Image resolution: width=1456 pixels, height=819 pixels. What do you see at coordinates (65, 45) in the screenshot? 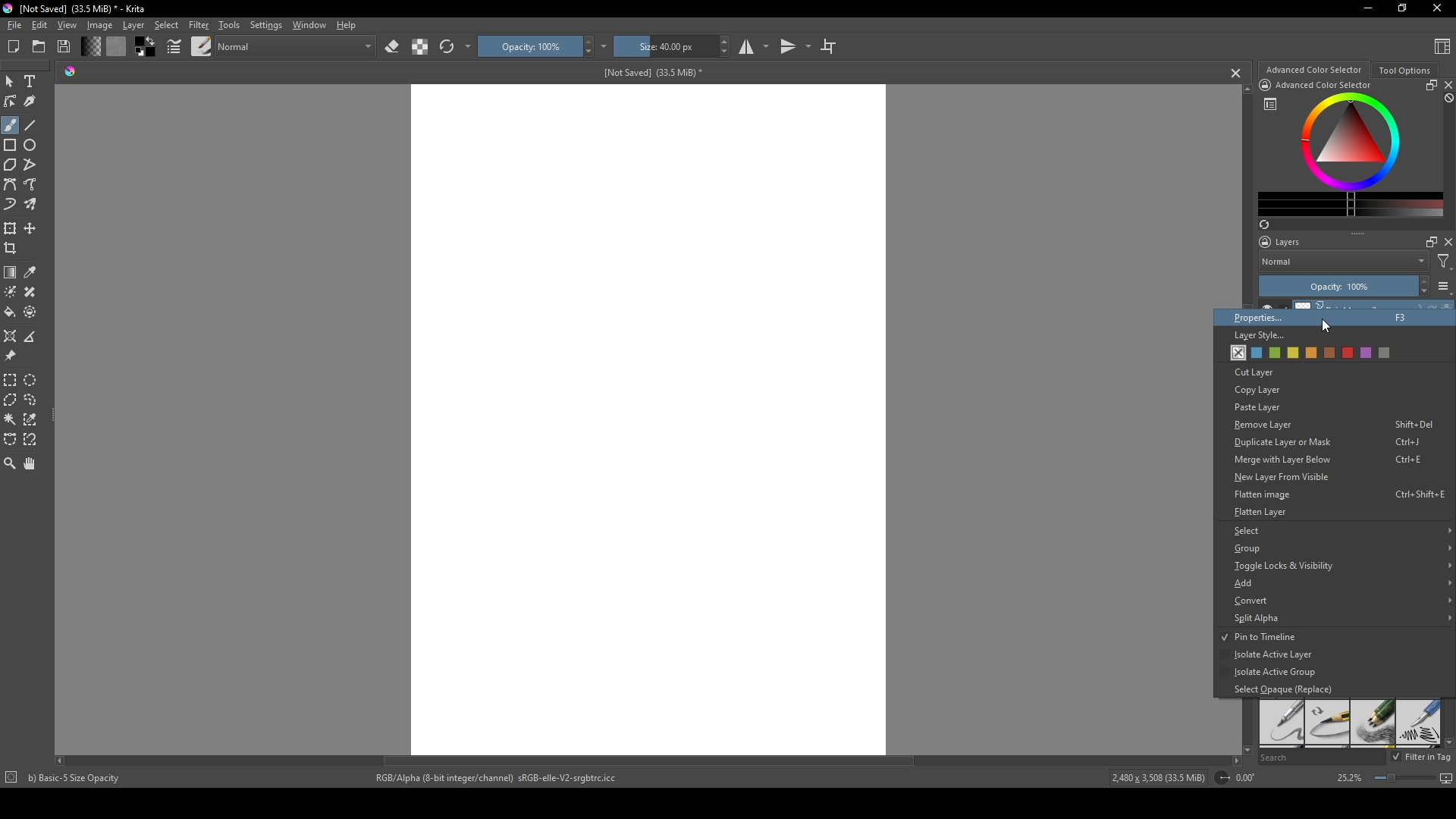
I see `Save` at bounding box center [65, 45].